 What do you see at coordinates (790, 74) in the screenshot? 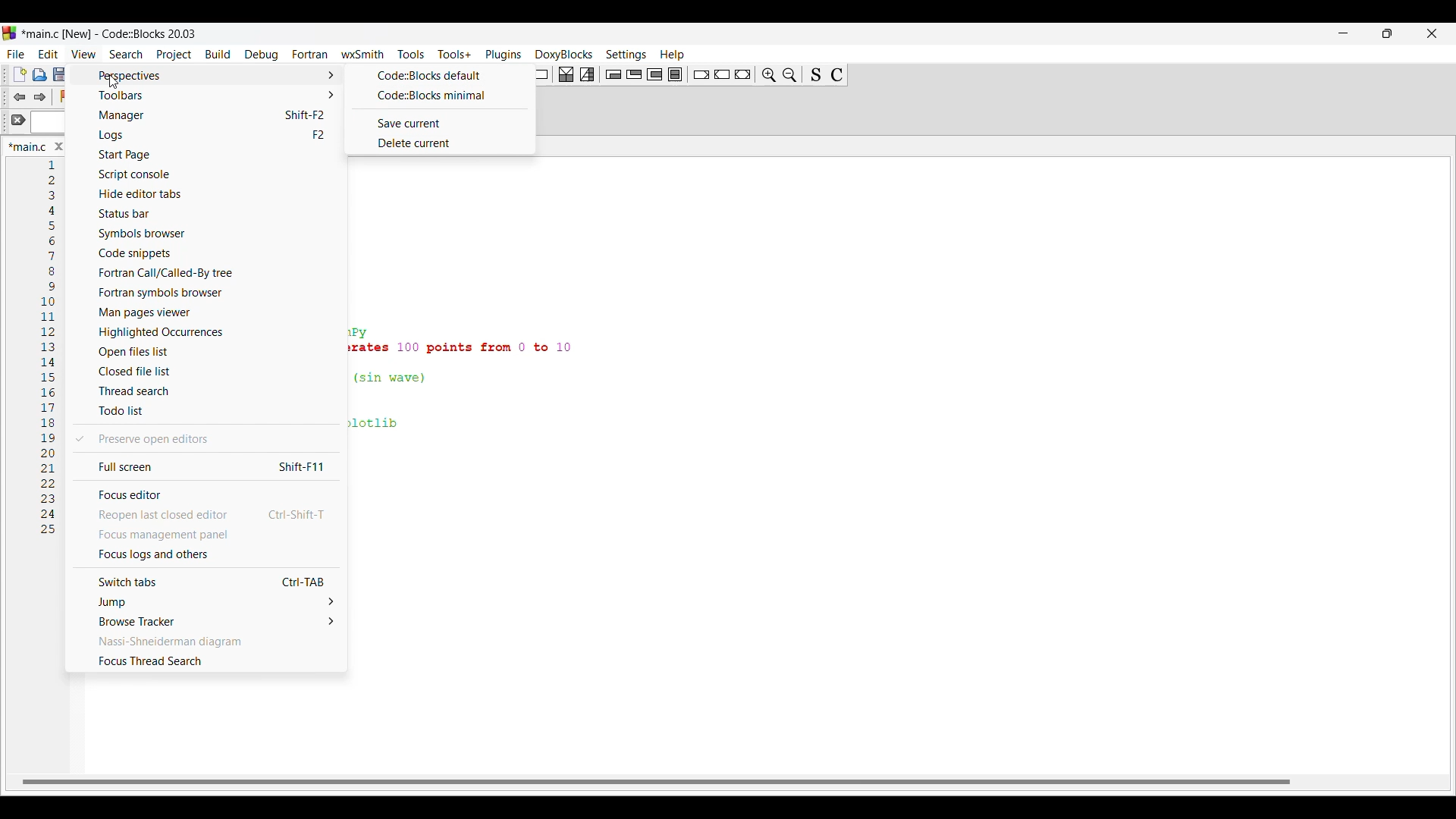
I see `Zoom out` at bounding box center [790, 74].